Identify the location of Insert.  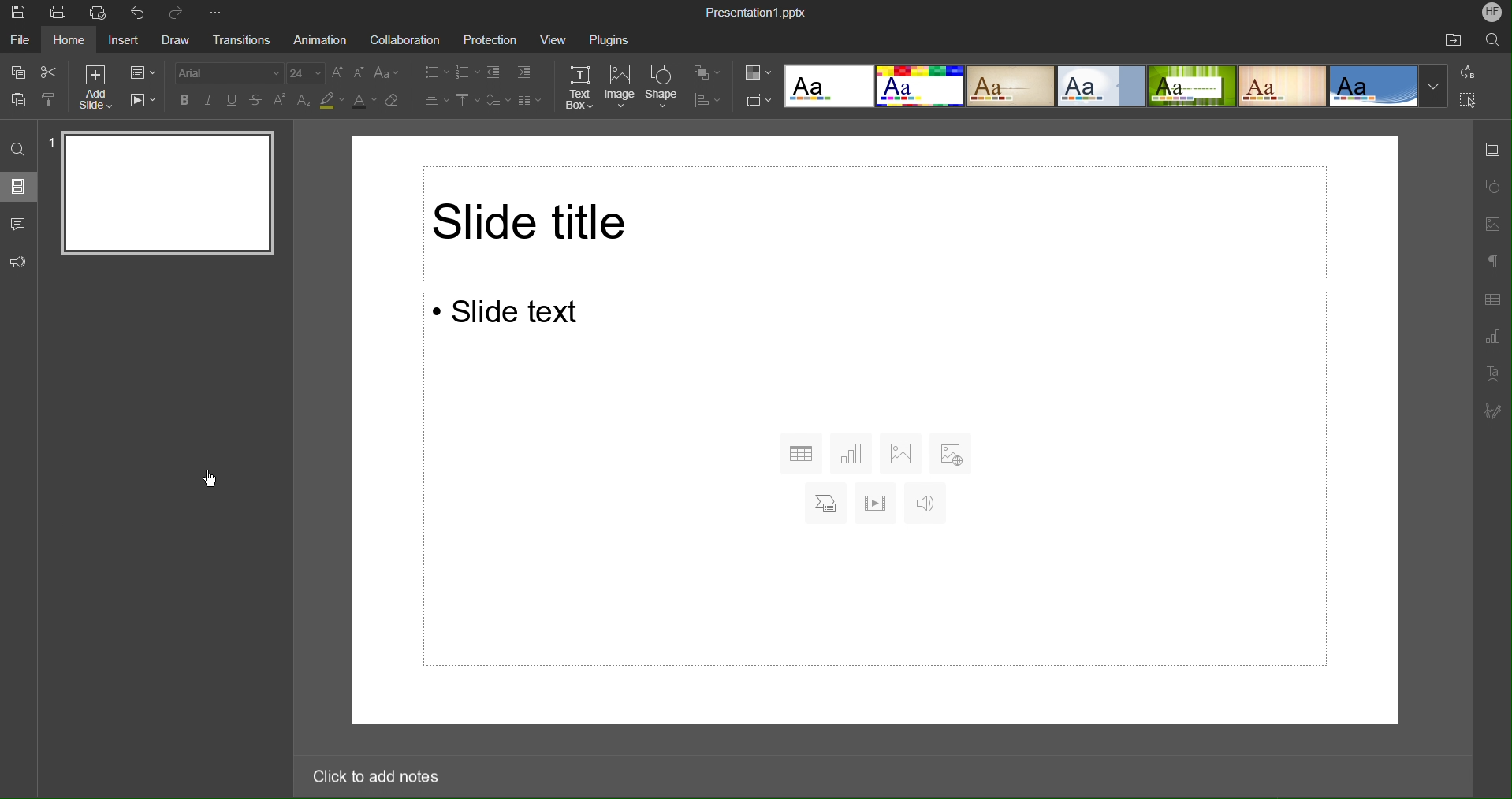
(126, 40).